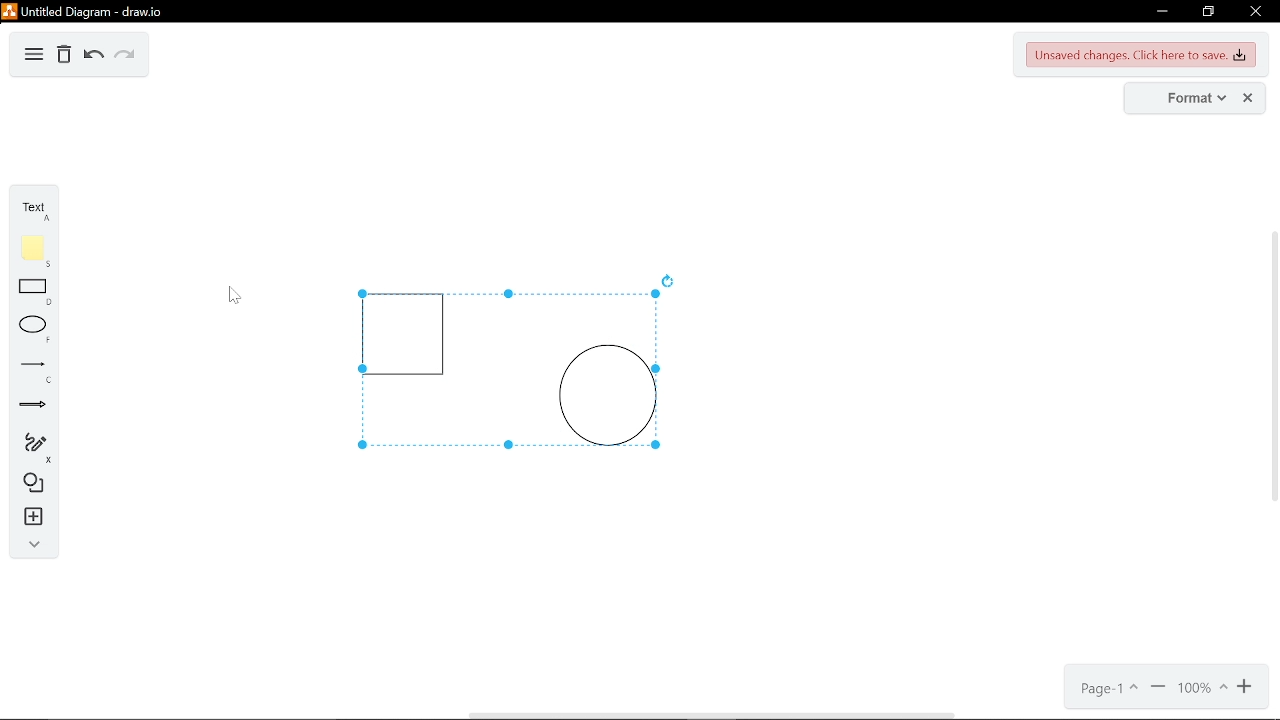  I want to click on rotate diagram, so click(669, 280).